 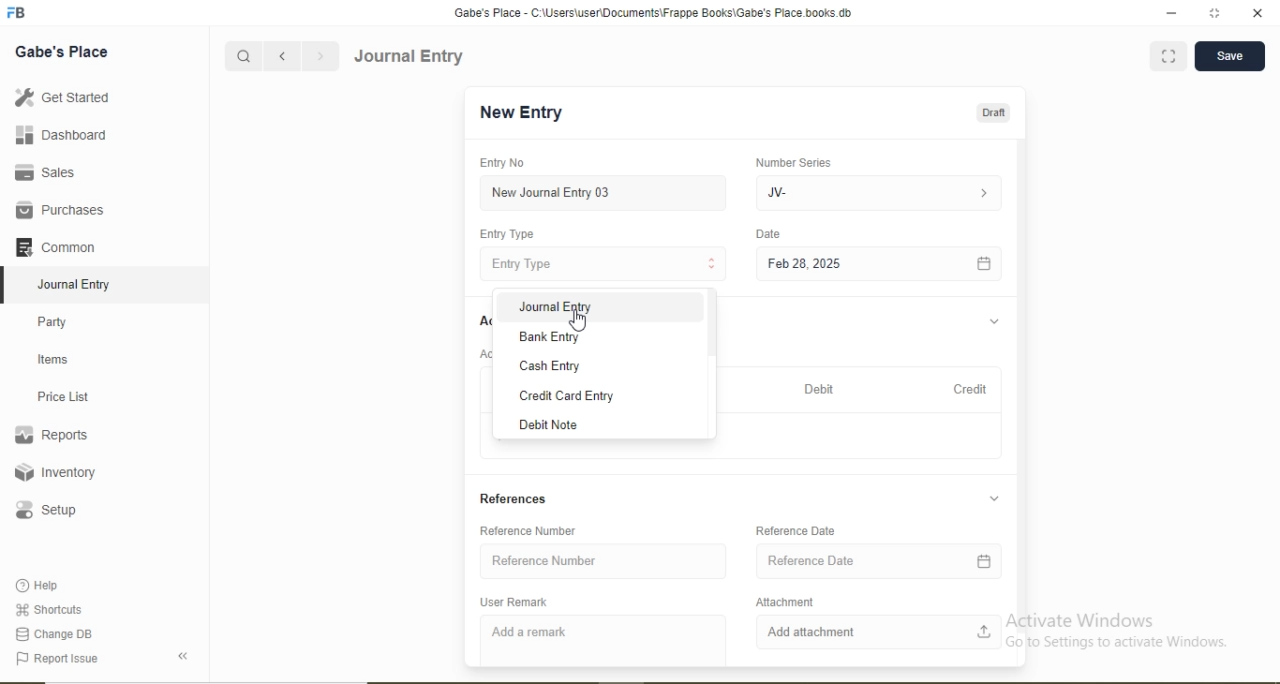 What do you see at coordinates (652, 13) in the screenshot?
I see `‘Gabe's Place - C:\Users\useriDocuments\Frappe Books\Gabe's Place books db` at bounding box center [652, 13].